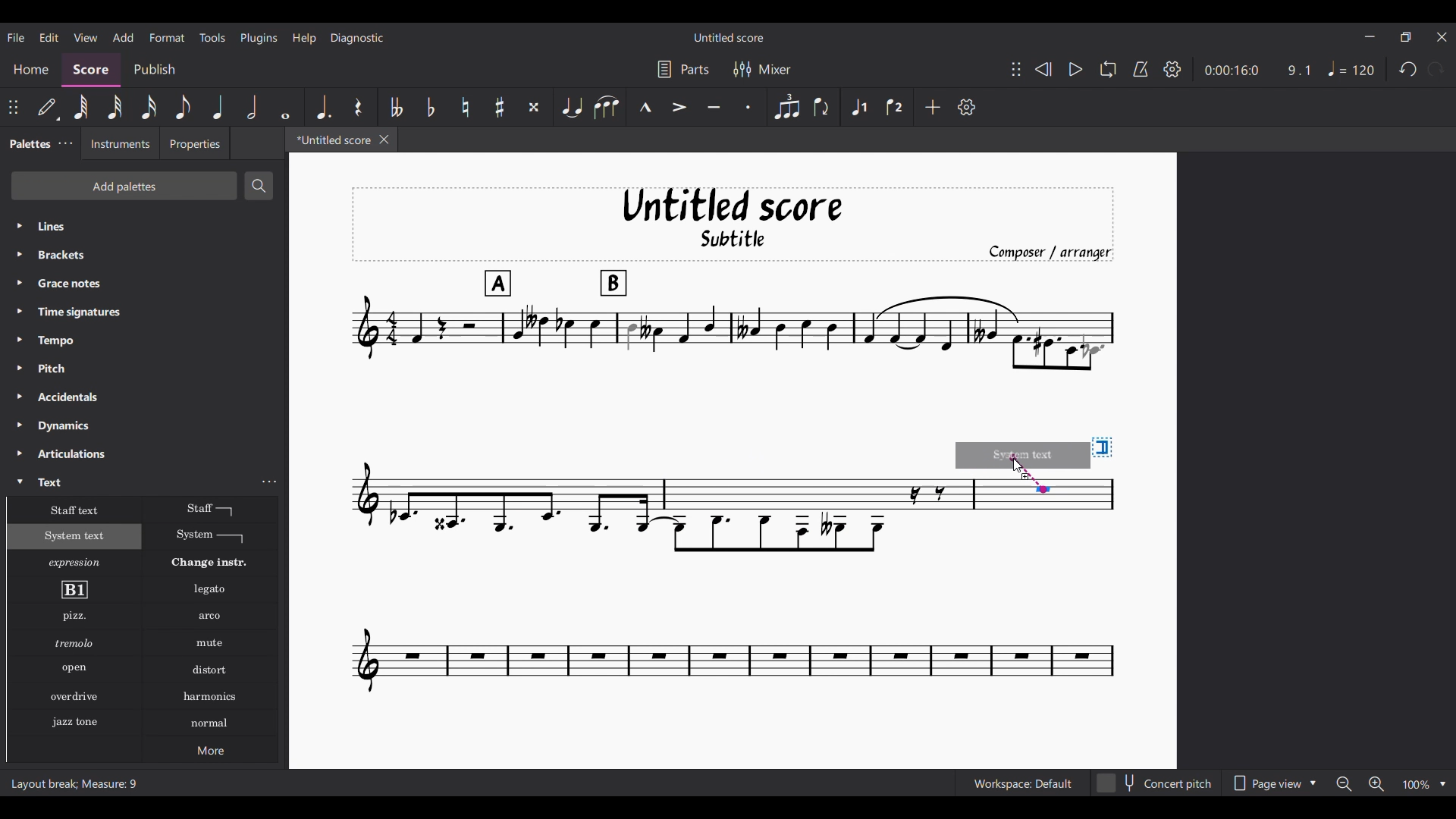 The height and width of the screenshot is (819, 1456). What do you see at coordinates (304, 38) in the screenshot?
I see `Help menu` at bounding box center [304, 38].